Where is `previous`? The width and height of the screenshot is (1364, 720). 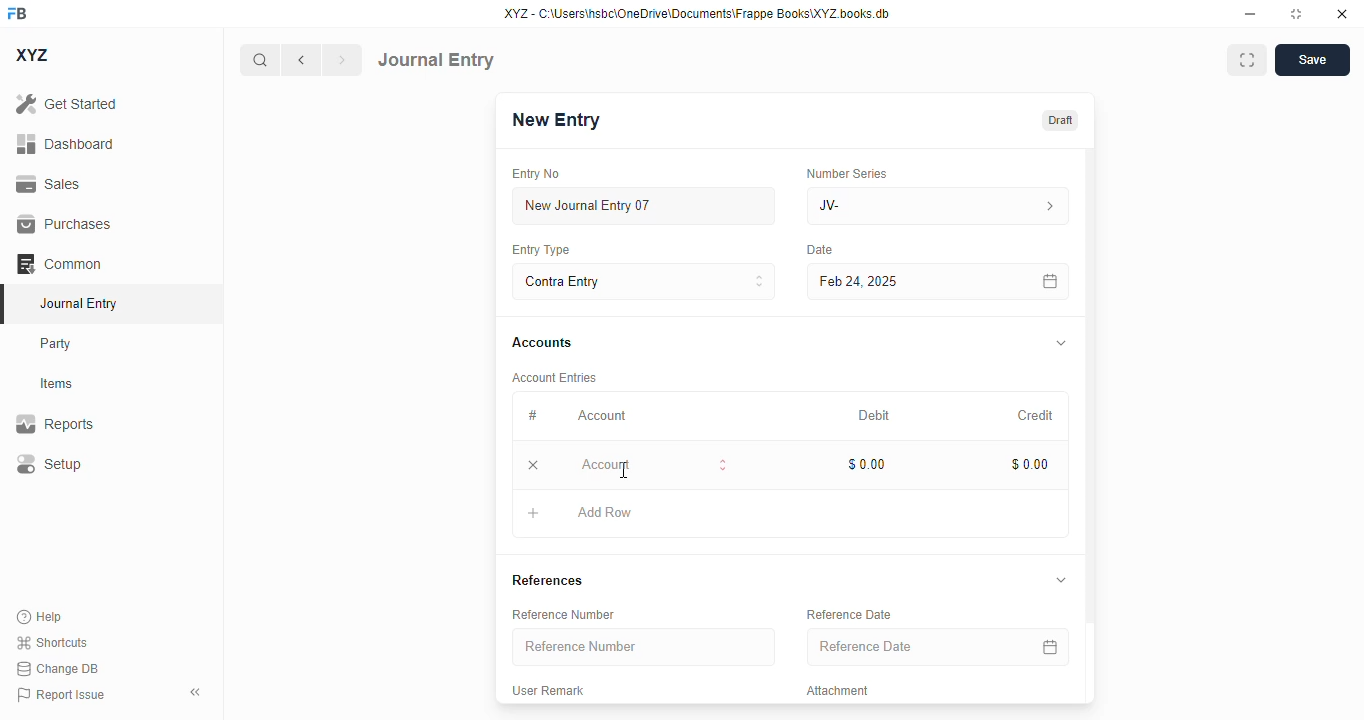 previous is located at coordinates (301, 60).